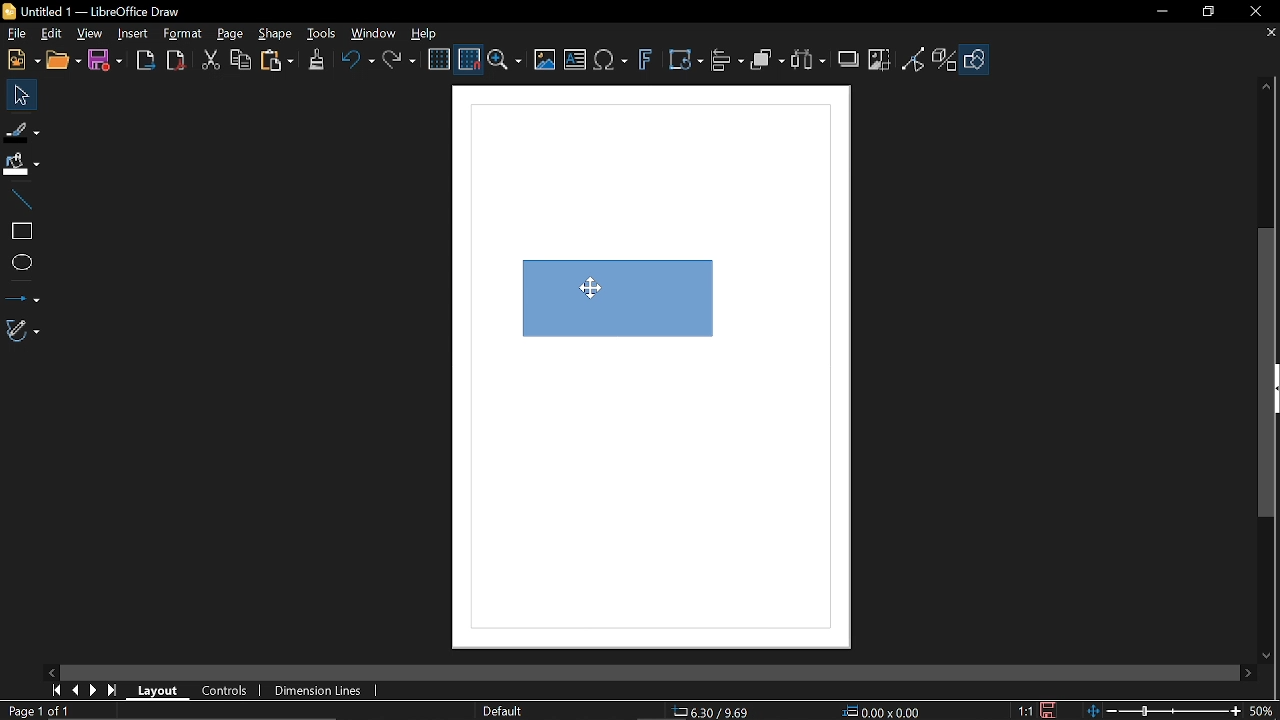  What do you see at coordinates (1046, 711) in the screenshot?
I see `Save` at bounding box center [1046, 711].